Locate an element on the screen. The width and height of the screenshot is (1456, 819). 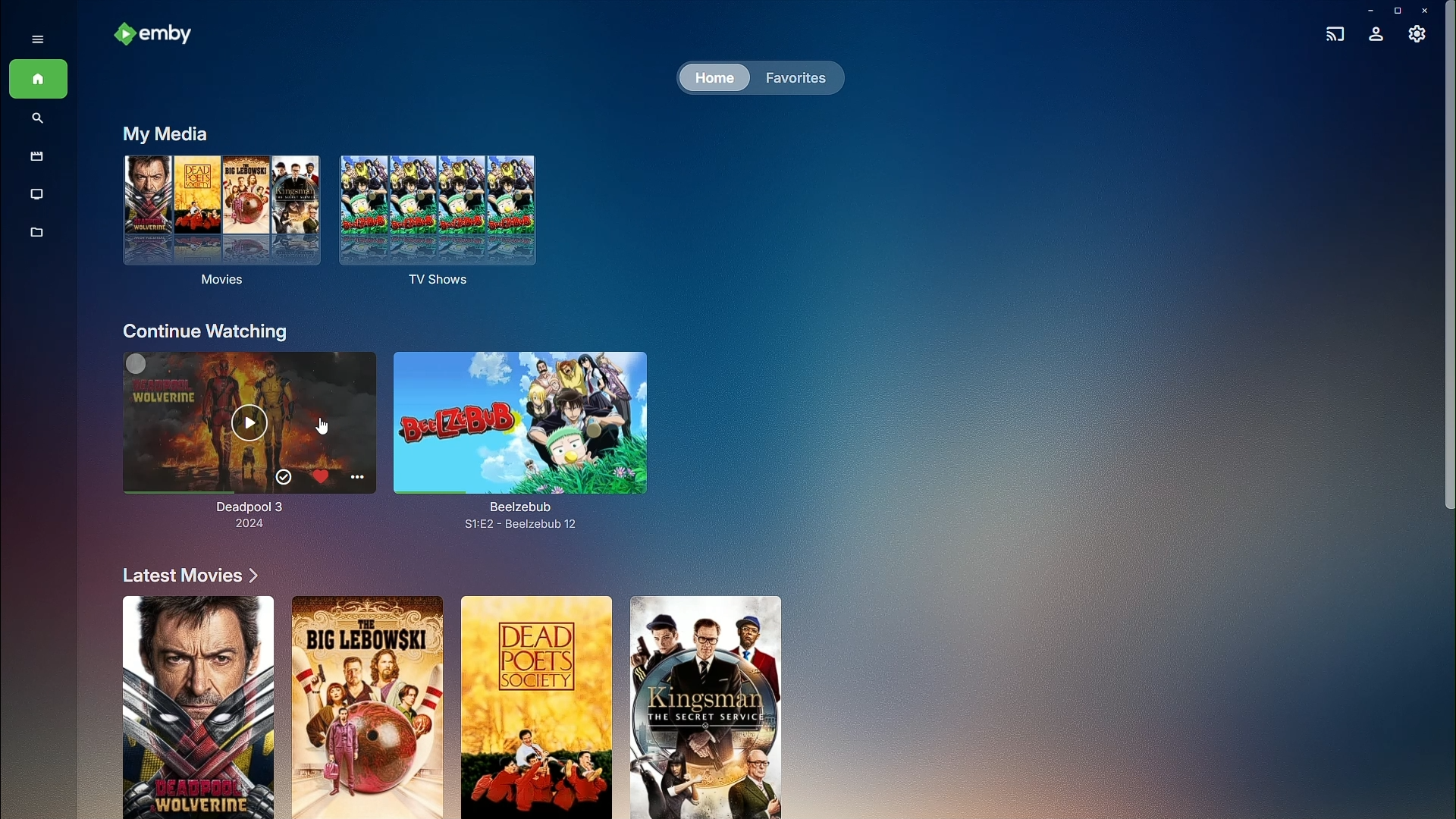
Dead poets society is located at coordinates (534, 705).